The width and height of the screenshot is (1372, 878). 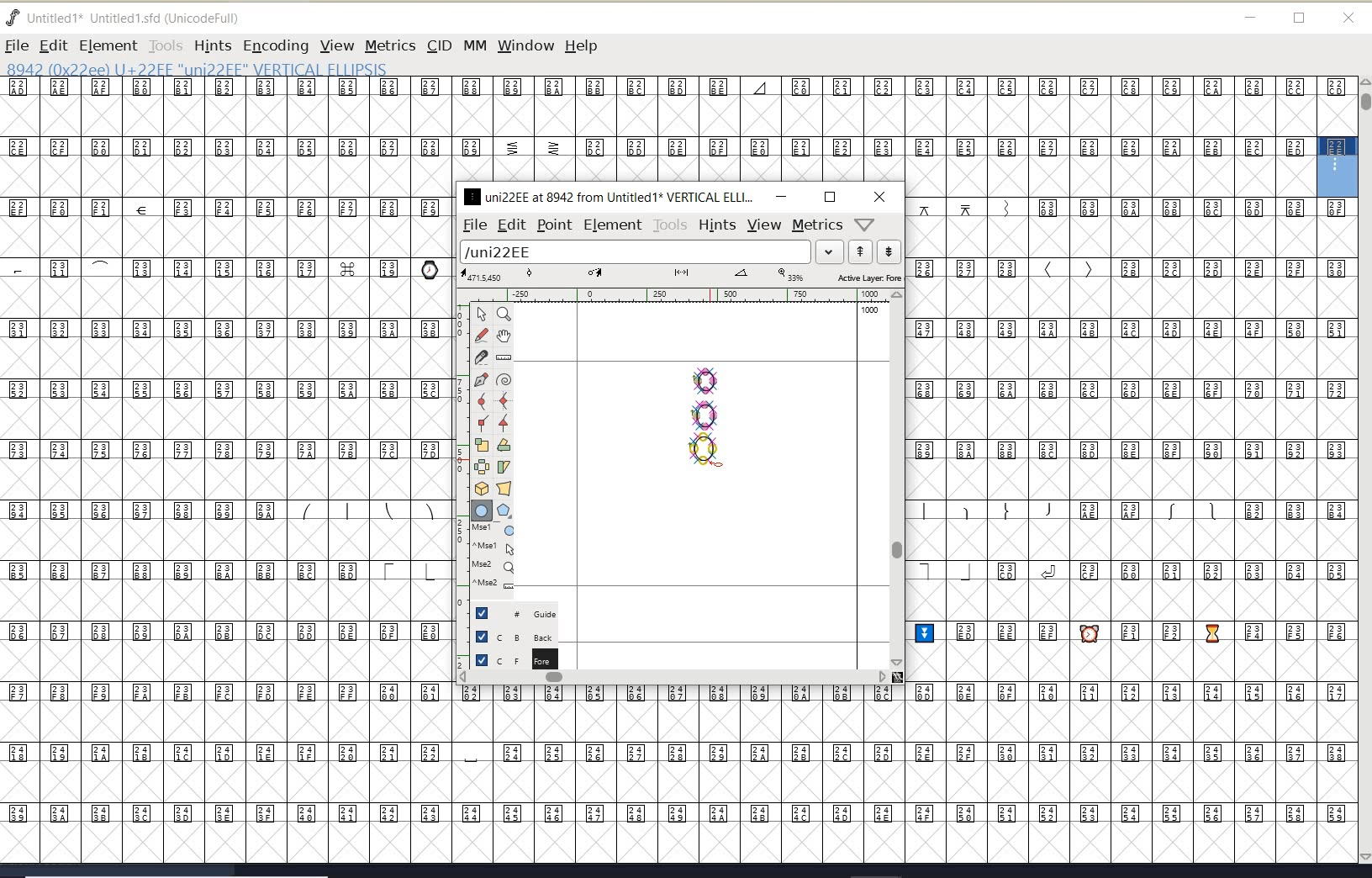 I want to click on point, so click(x=553, y=225).